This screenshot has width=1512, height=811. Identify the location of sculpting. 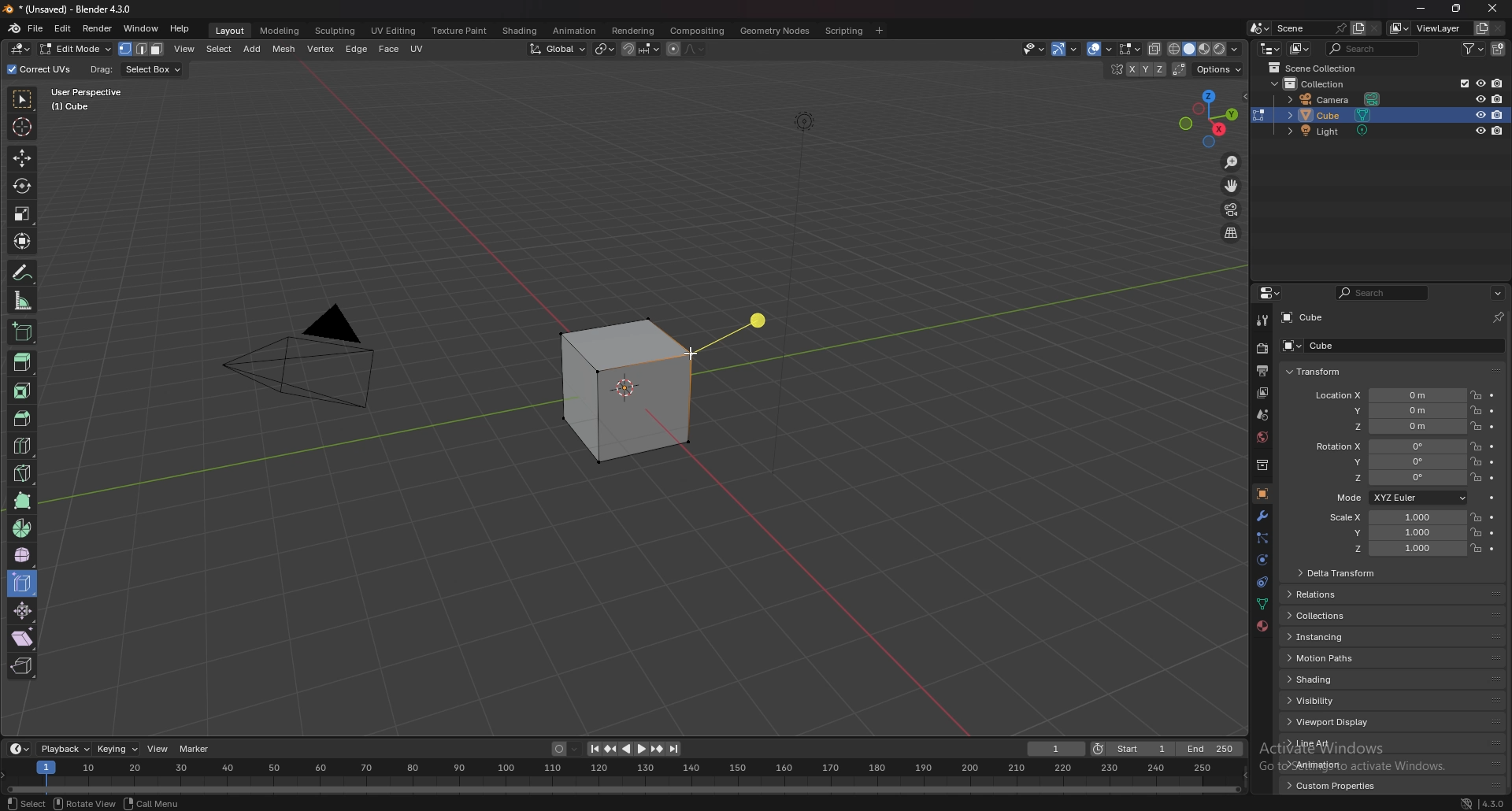
(335, 31).